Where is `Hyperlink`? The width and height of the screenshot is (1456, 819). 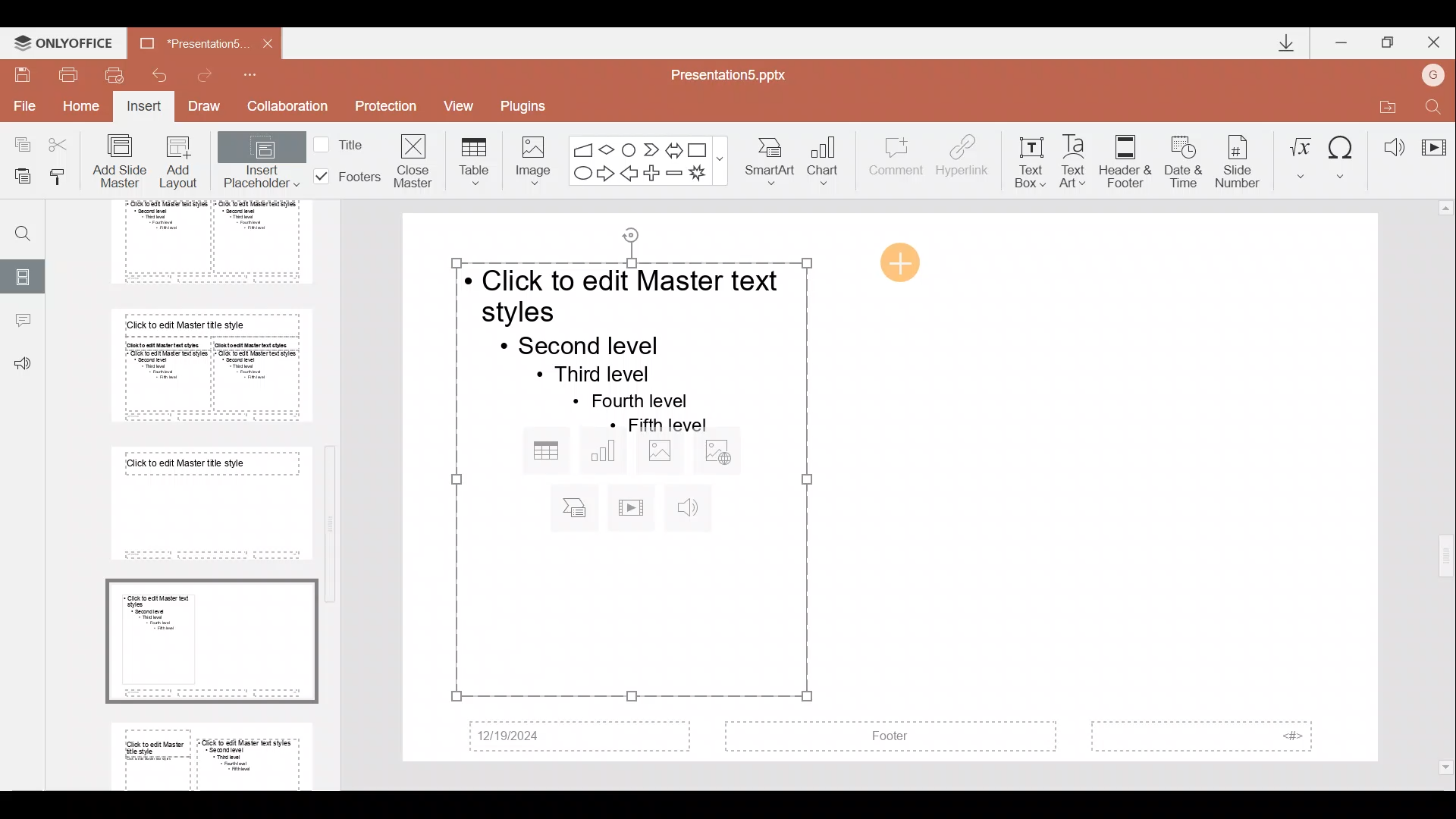 Hyperlink is located at coordinates (964, 158).